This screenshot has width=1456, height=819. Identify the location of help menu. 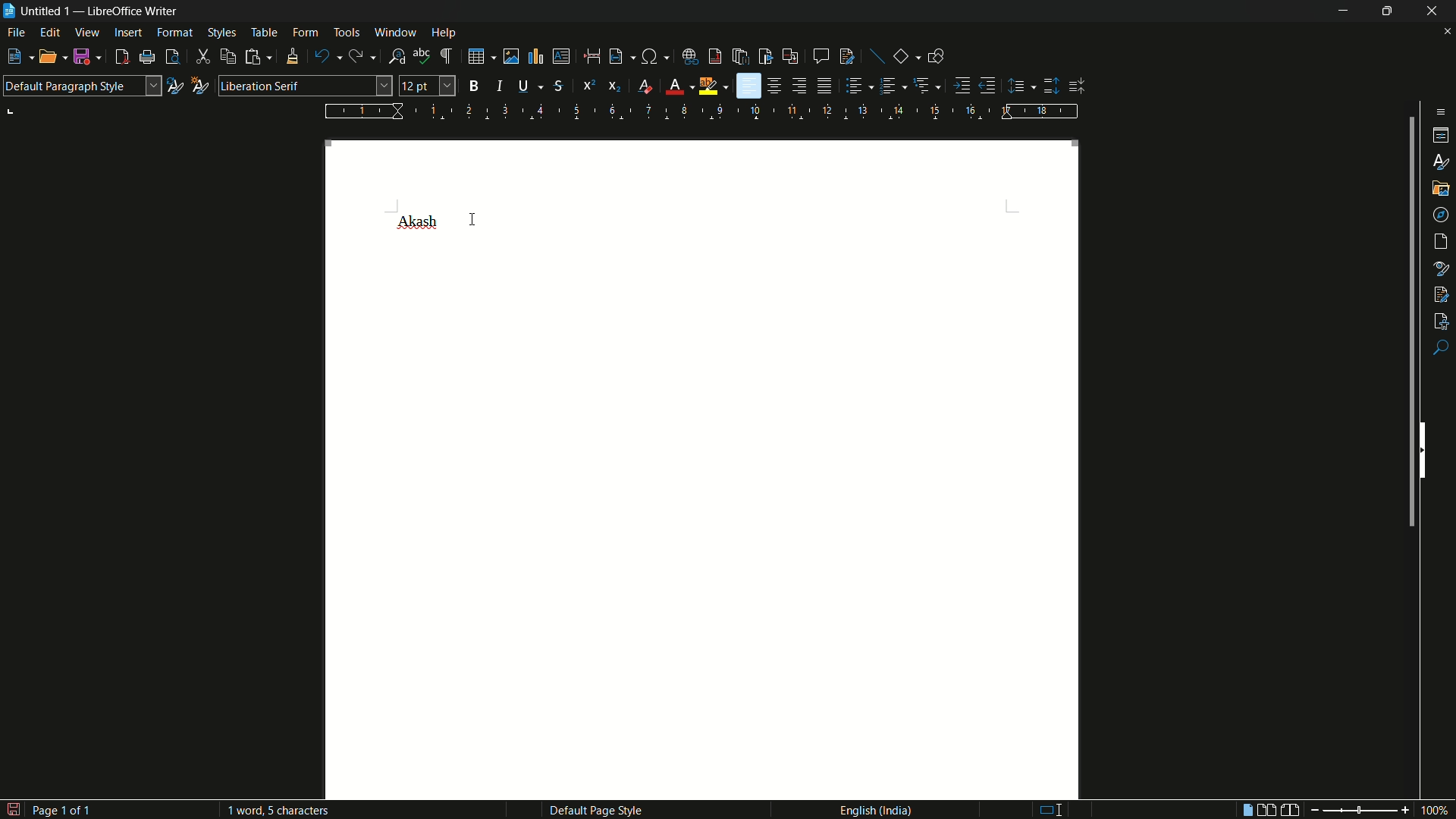
(444, 33).